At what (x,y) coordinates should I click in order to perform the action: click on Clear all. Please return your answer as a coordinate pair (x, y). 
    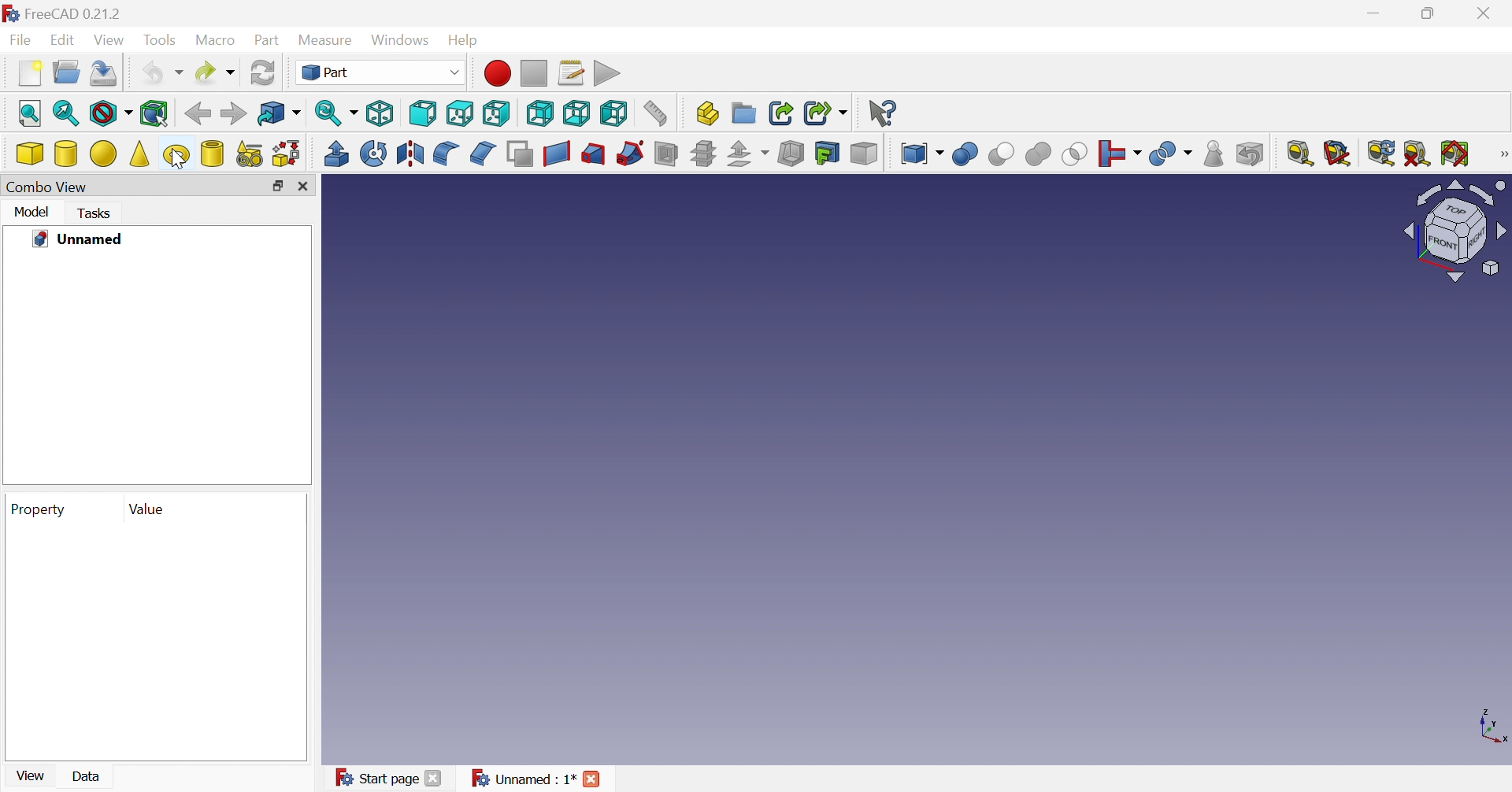
    Looking at the image, I should click on (1420, 152).